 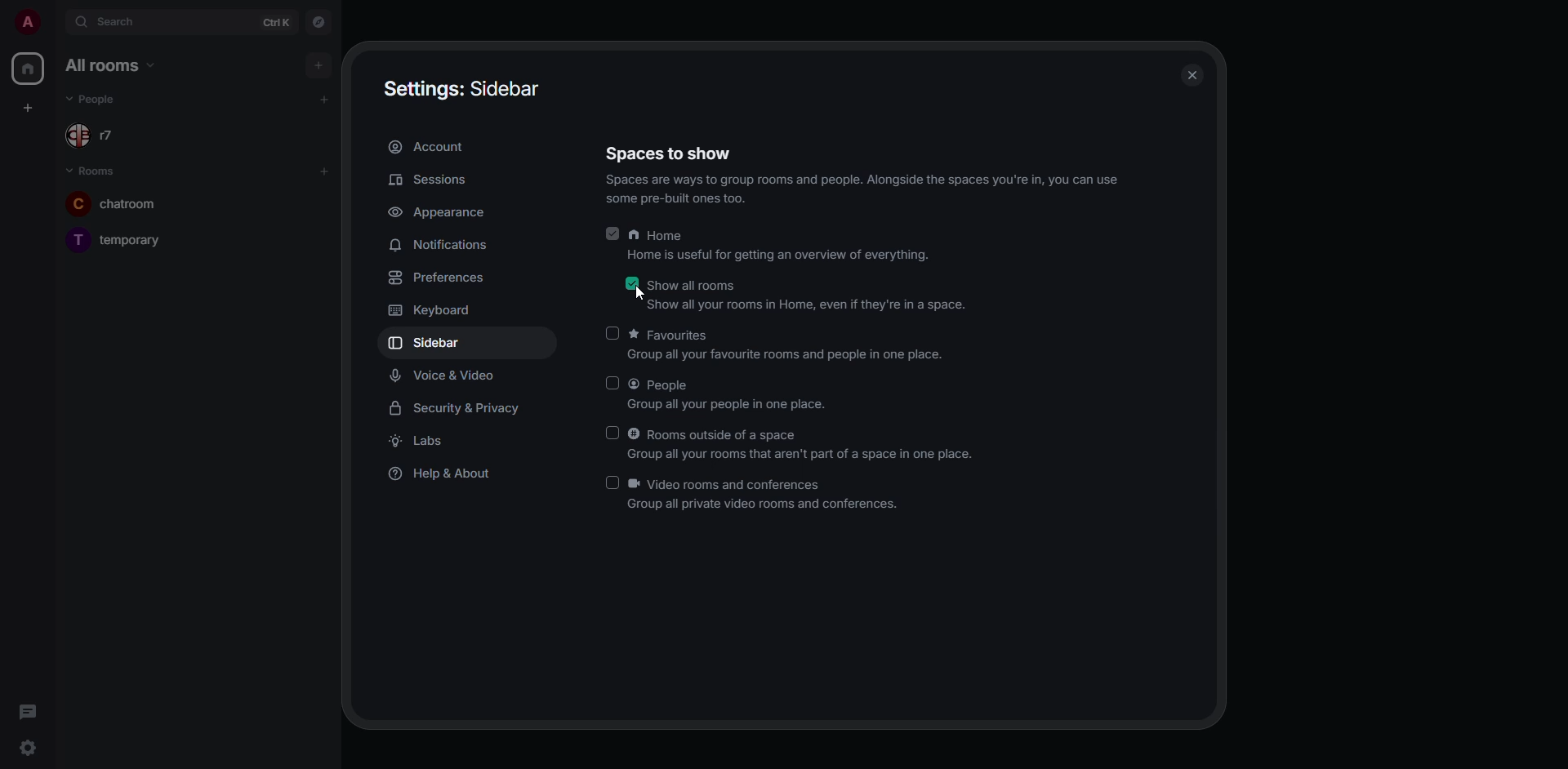 What do you see at coordinates (99, 137) in the screenshot?
I see `r7` at bounding box center [99, 137].